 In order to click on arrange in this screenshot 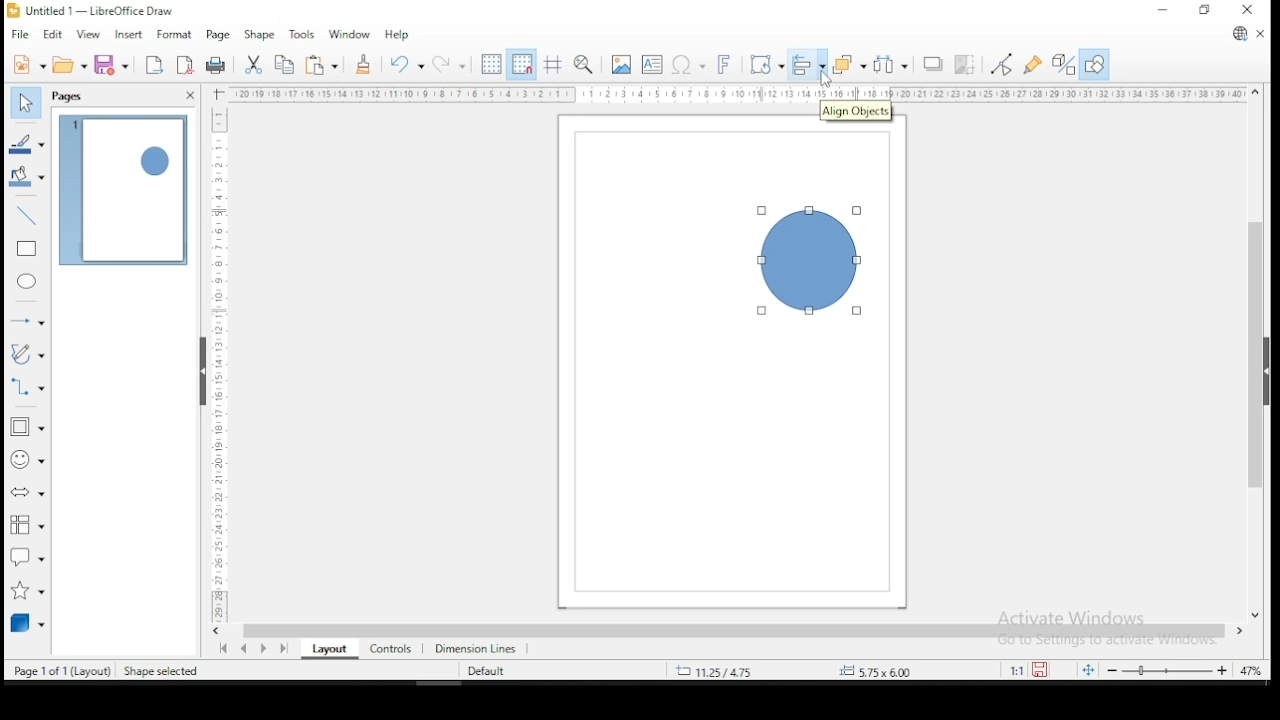, I will do `click(849, 64)`.